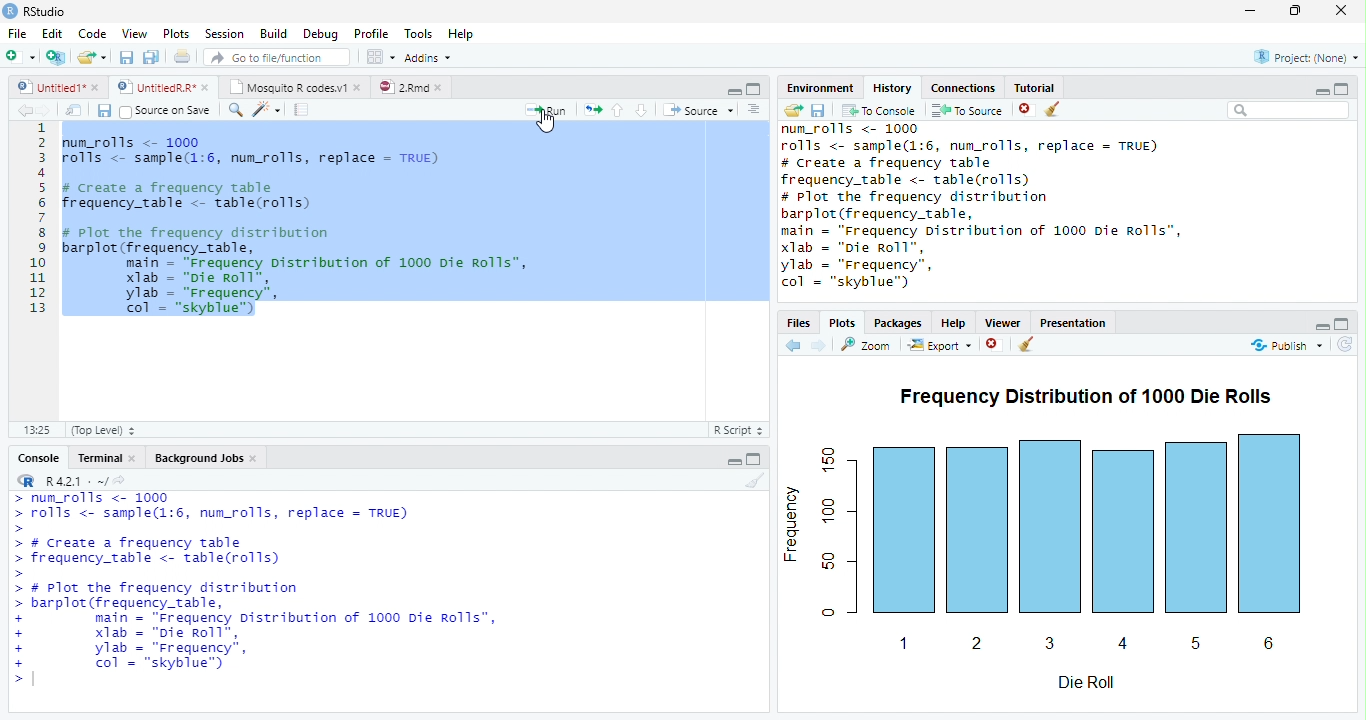 The height and width of the screenshot is (720, 1366). Describe the element at coordinates (1026, 344) in the screenshot. I see `Clear` at that location.